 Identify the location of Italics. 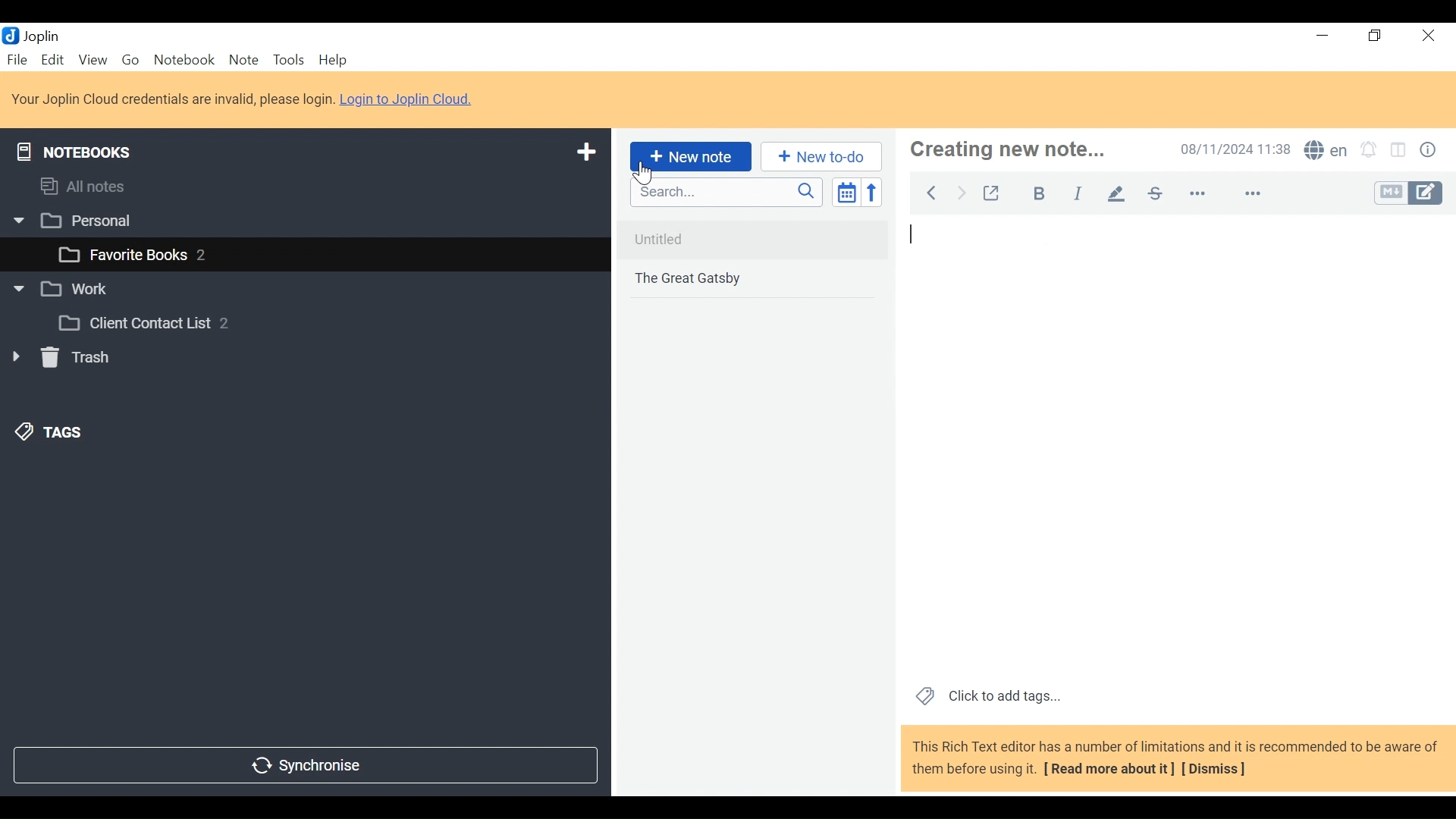
(1077, 194).